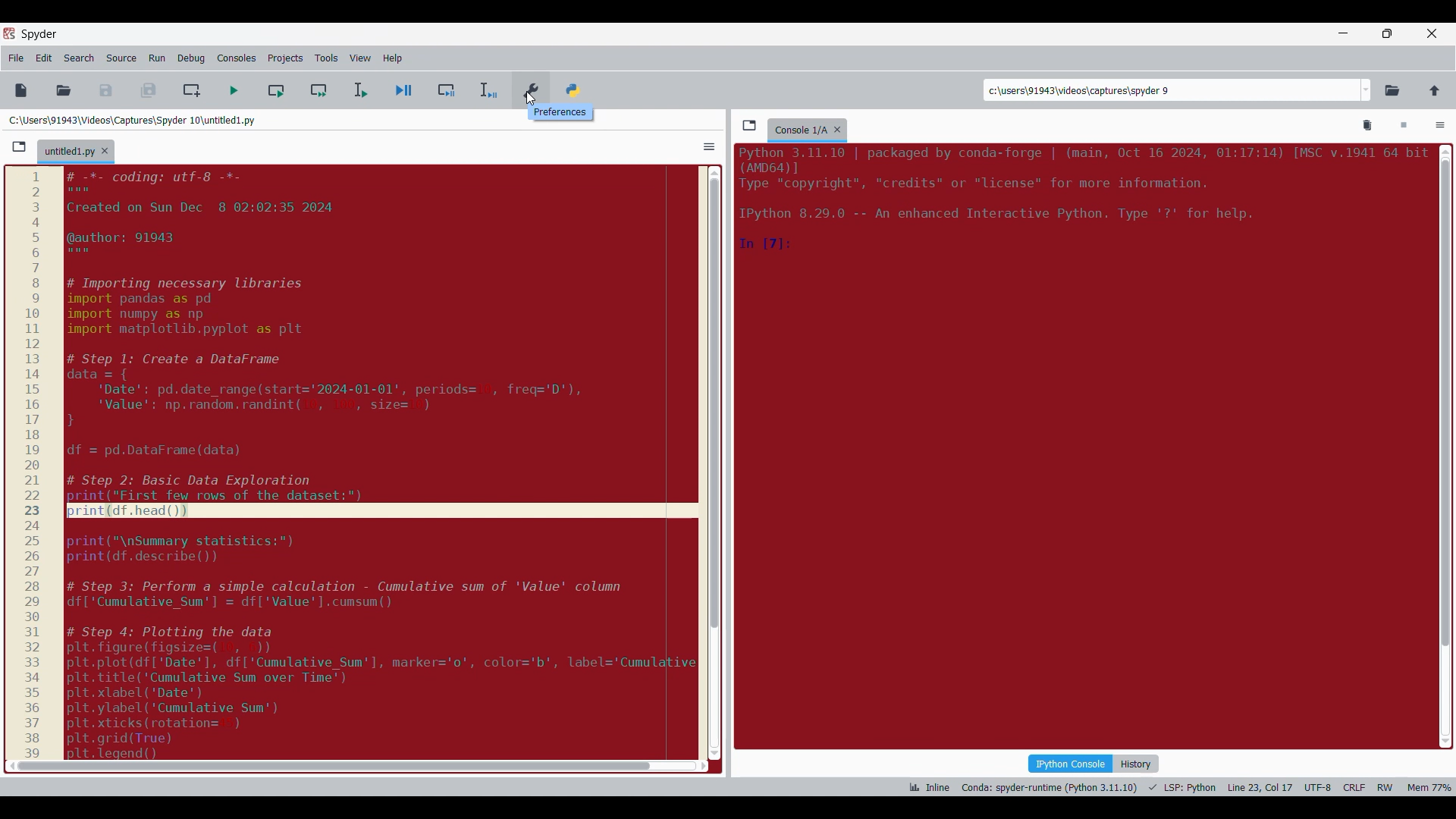  I want to click on Edit menu, so click(44, 58).